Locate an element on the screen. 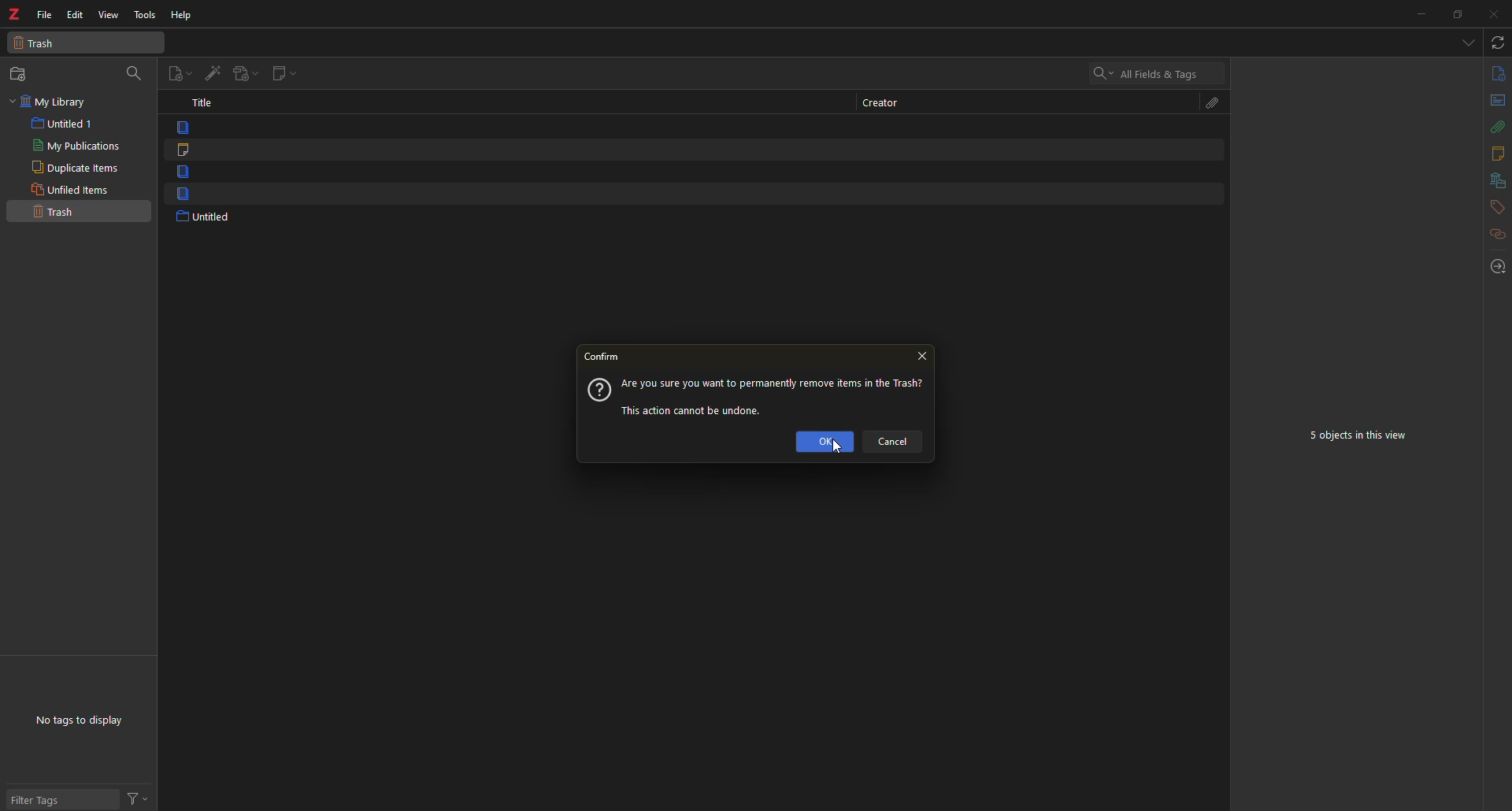 This screenshot has width=1512, height=811. cancel is located at coordinates (896, 442).